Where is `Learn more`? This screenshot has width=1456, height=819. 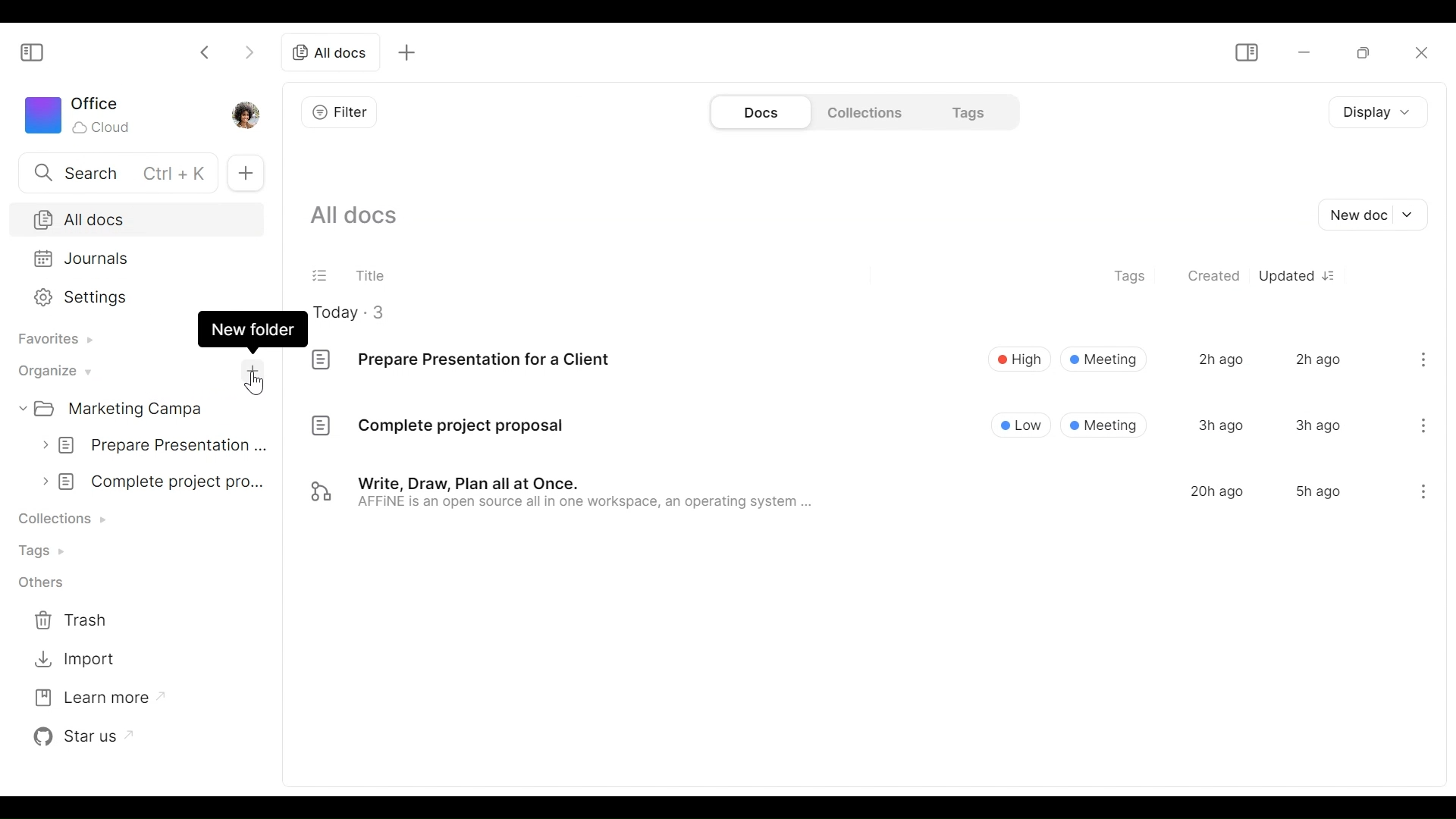
Learn more is located at coordinates (90, 698).